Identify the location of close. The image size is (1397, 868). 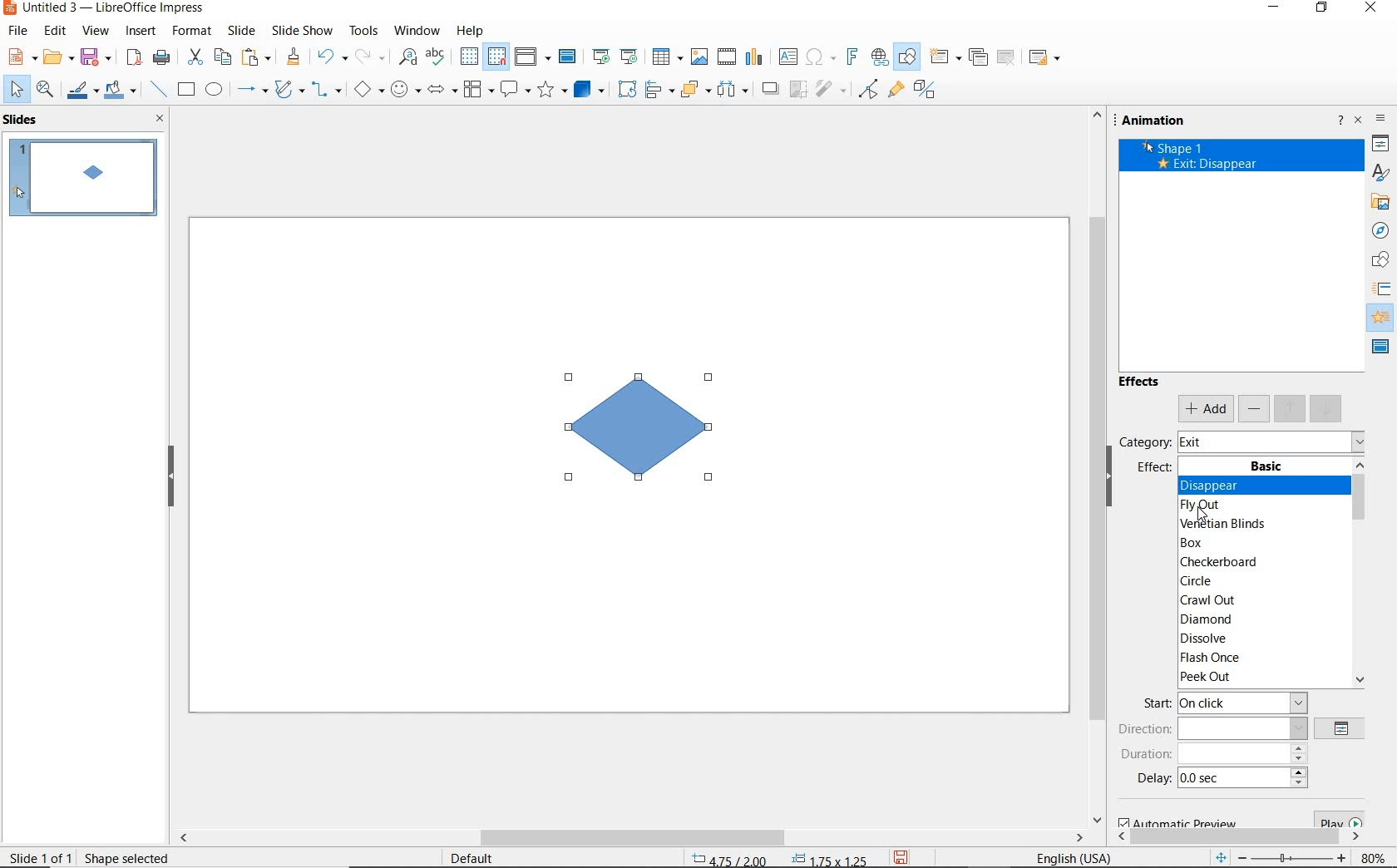
(1371, 8).